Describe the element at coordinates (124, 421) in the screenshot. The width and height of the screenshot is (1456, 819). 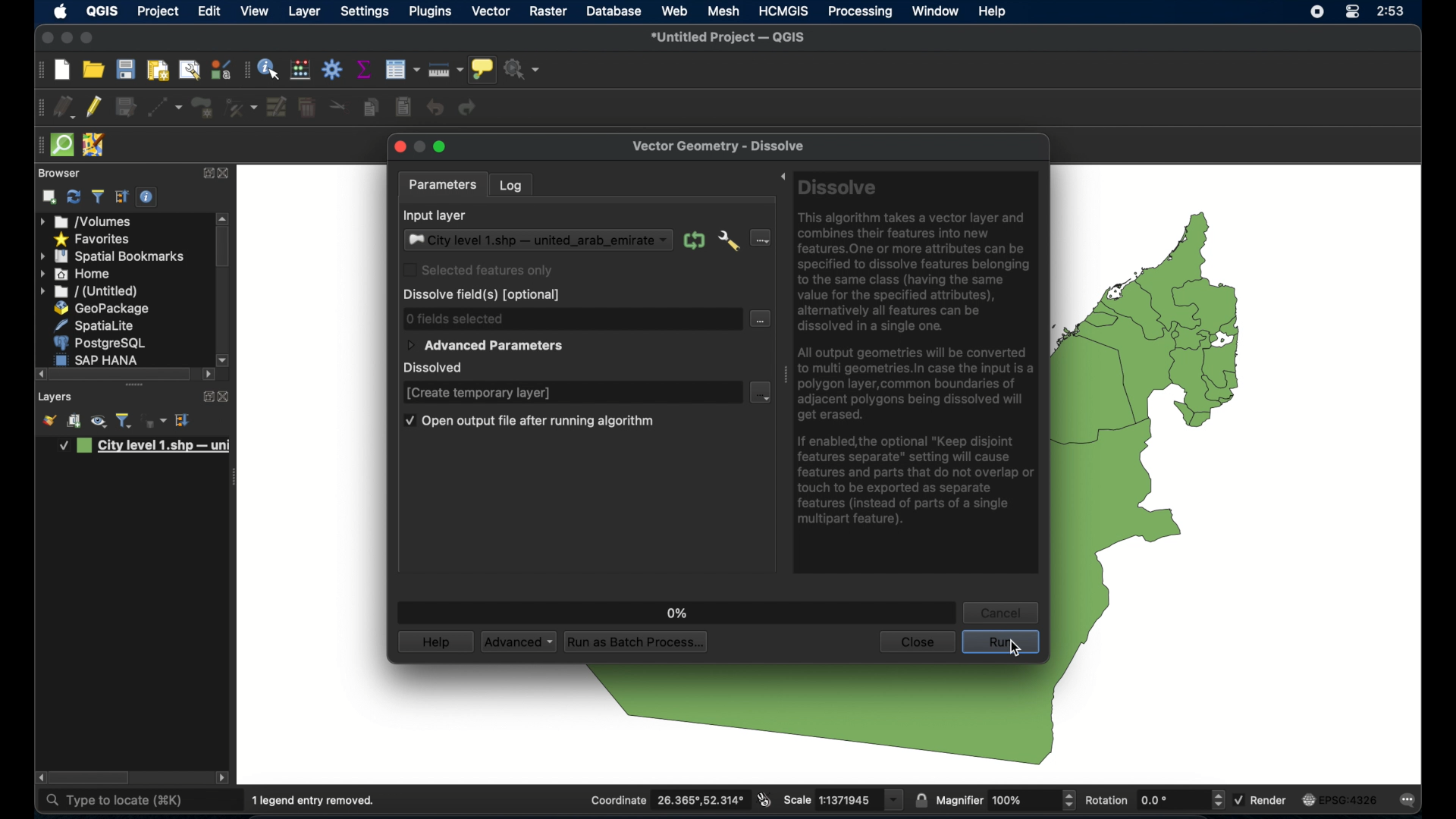
I see `filter legend` at that location.